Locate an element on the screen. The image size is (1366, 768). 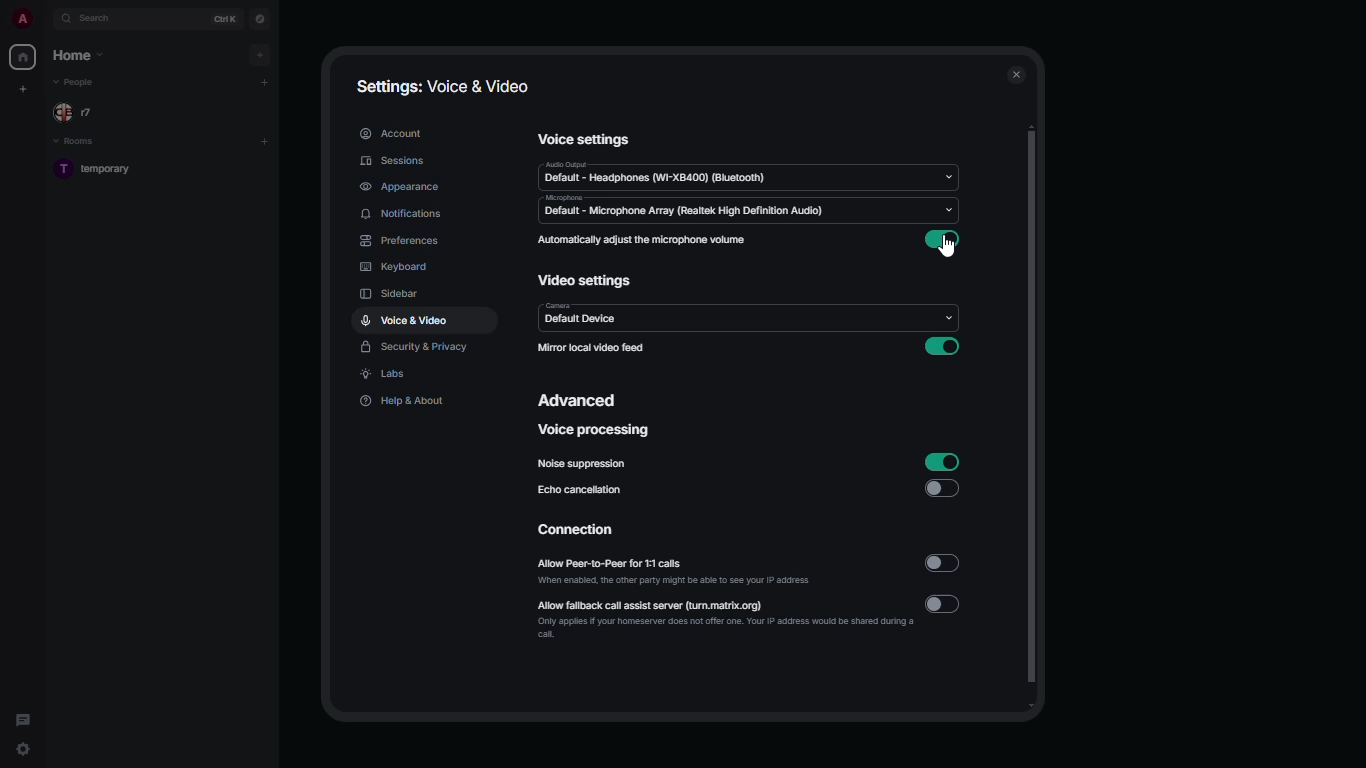
disabled is located at coordinates (947, 488).